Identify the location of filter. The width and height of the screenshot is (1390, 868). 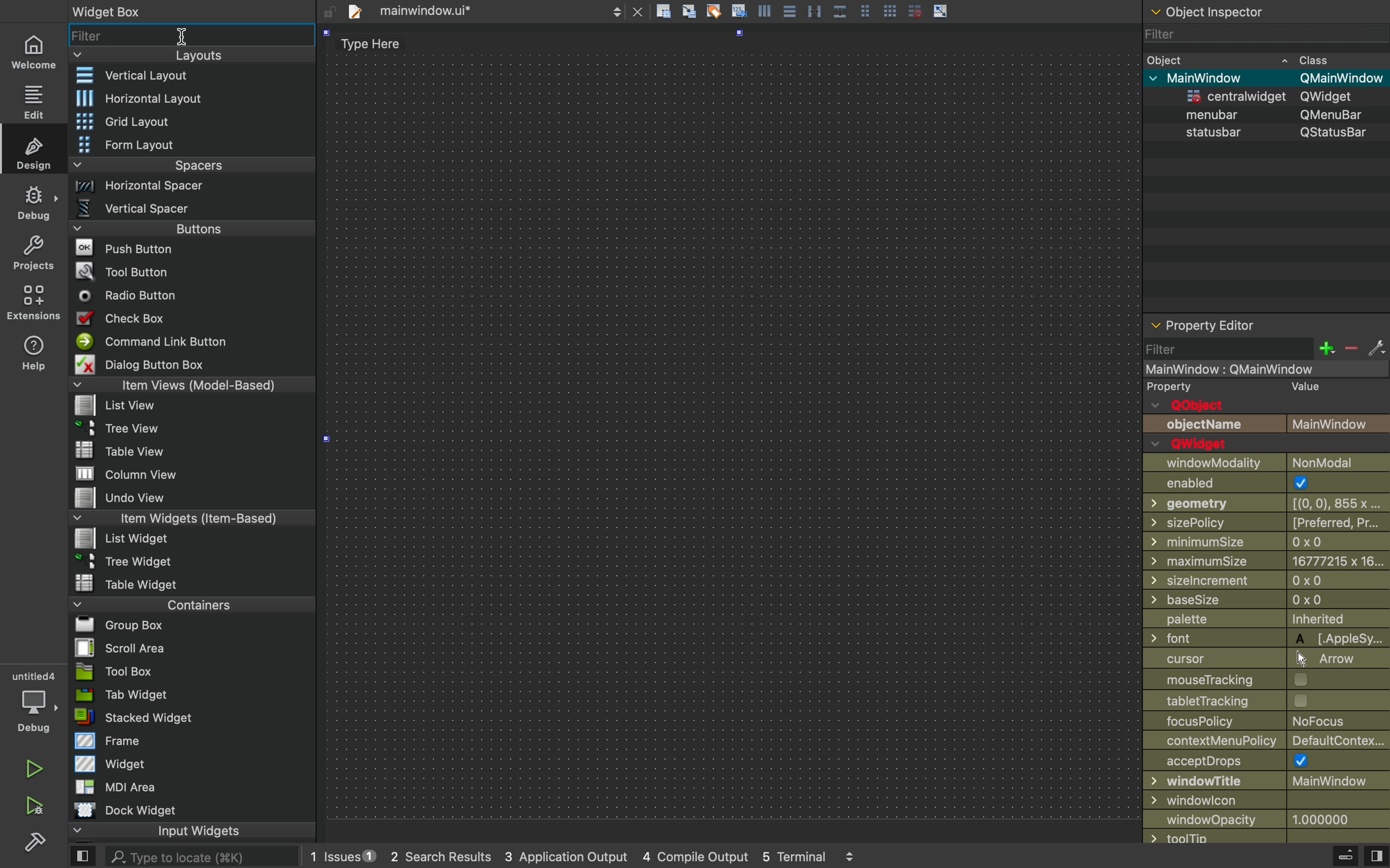
(1261, 36).